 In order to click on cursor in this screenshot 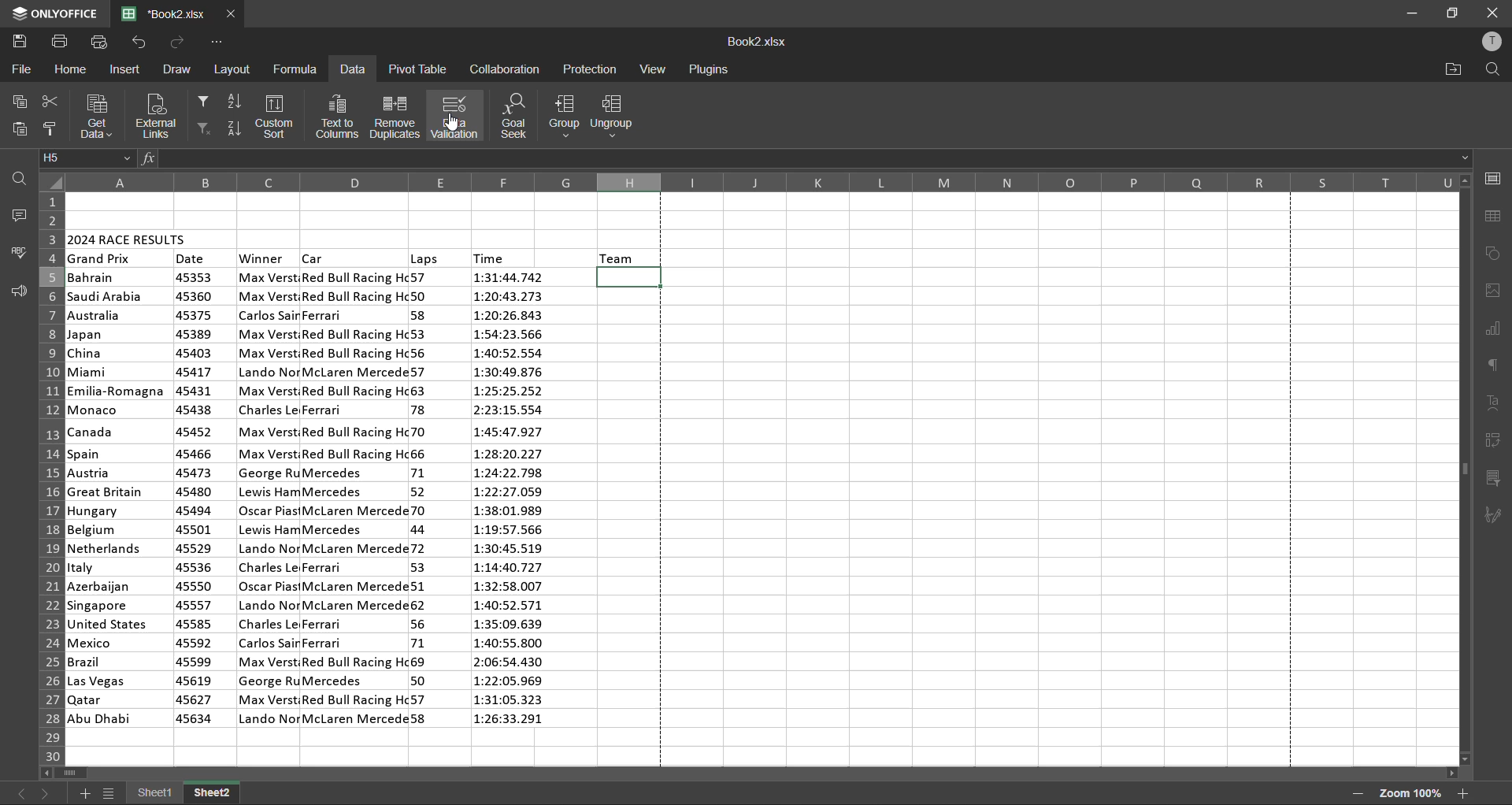, I will do `click(451, 124)`.